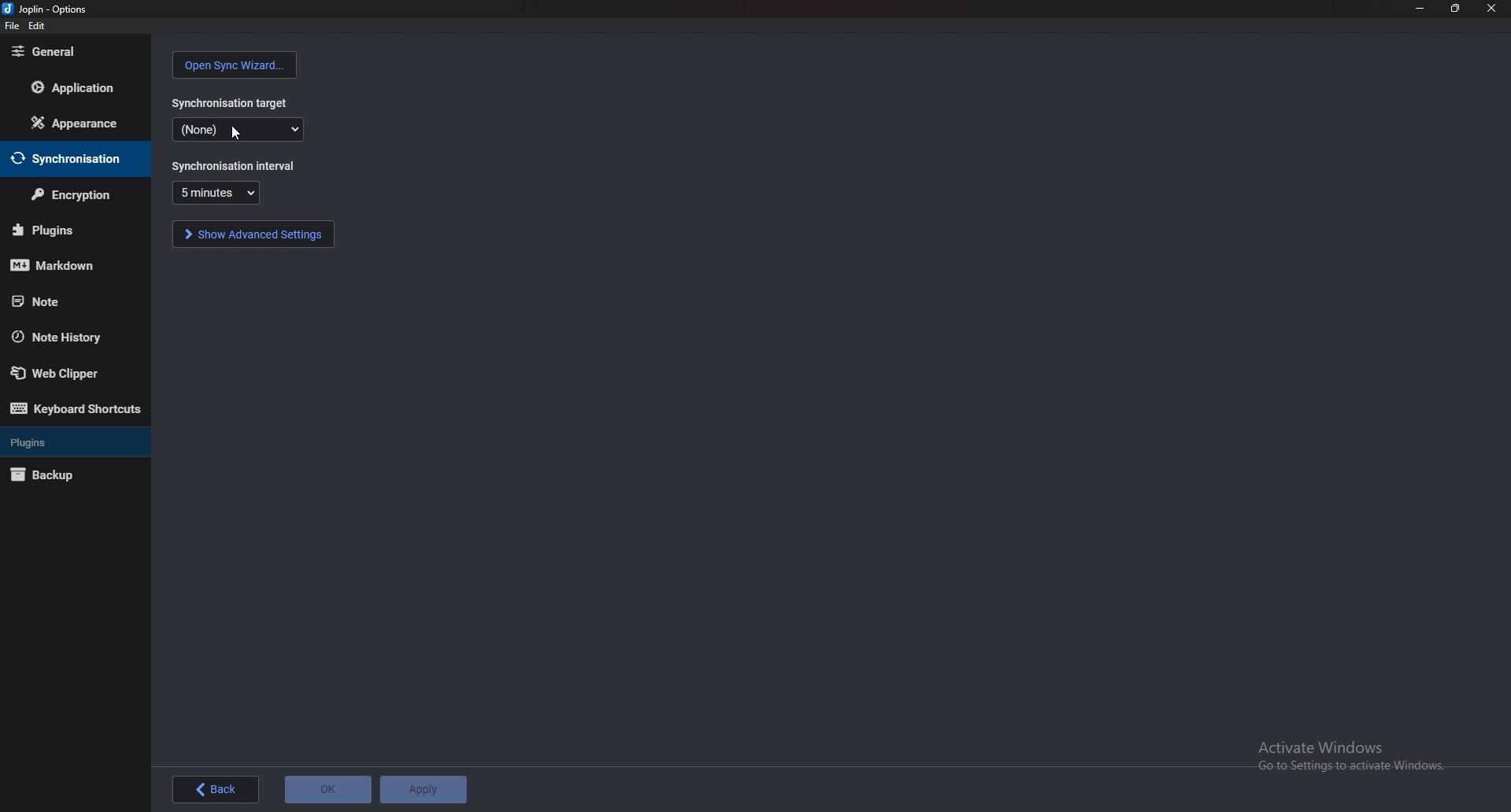 The height and width of the screenshot is (812, 1511). Describe the element at coordinates (78, 408) in the screenshot. I see `Keyboard shortcuts` at that location.